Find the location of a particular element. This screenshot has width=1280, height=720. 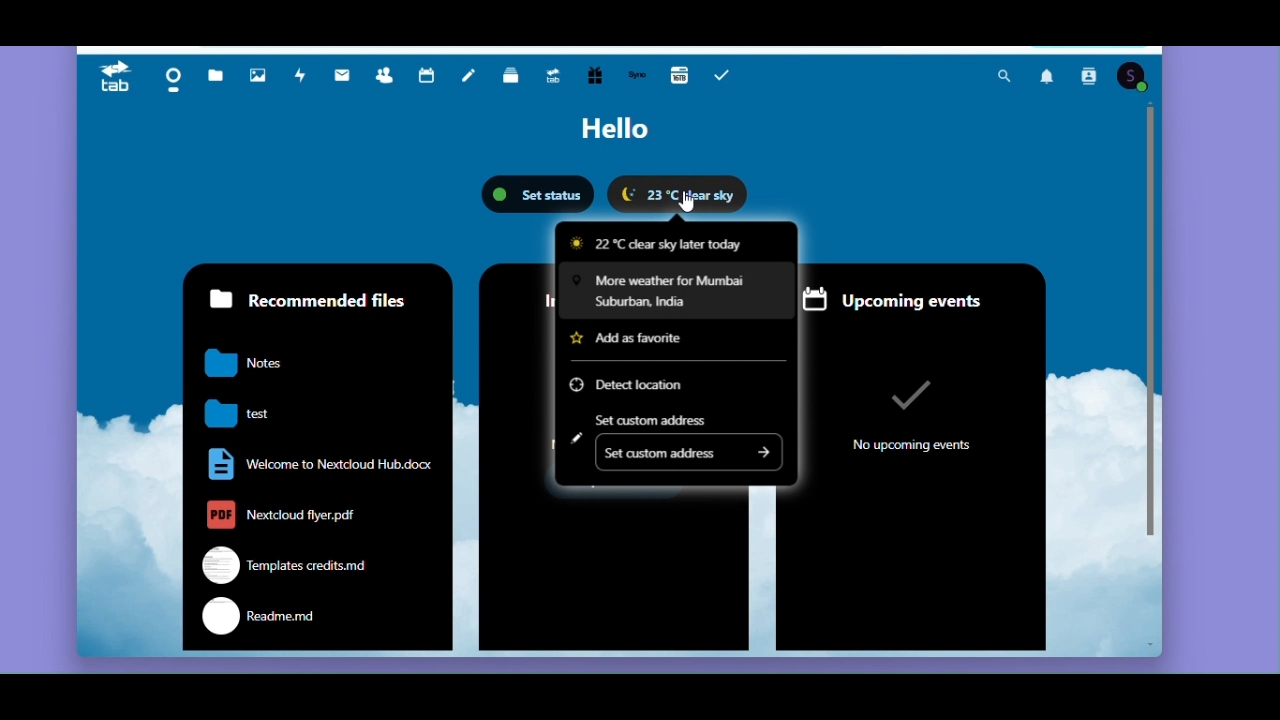

Set custom address is located at coordinates (686, 421).